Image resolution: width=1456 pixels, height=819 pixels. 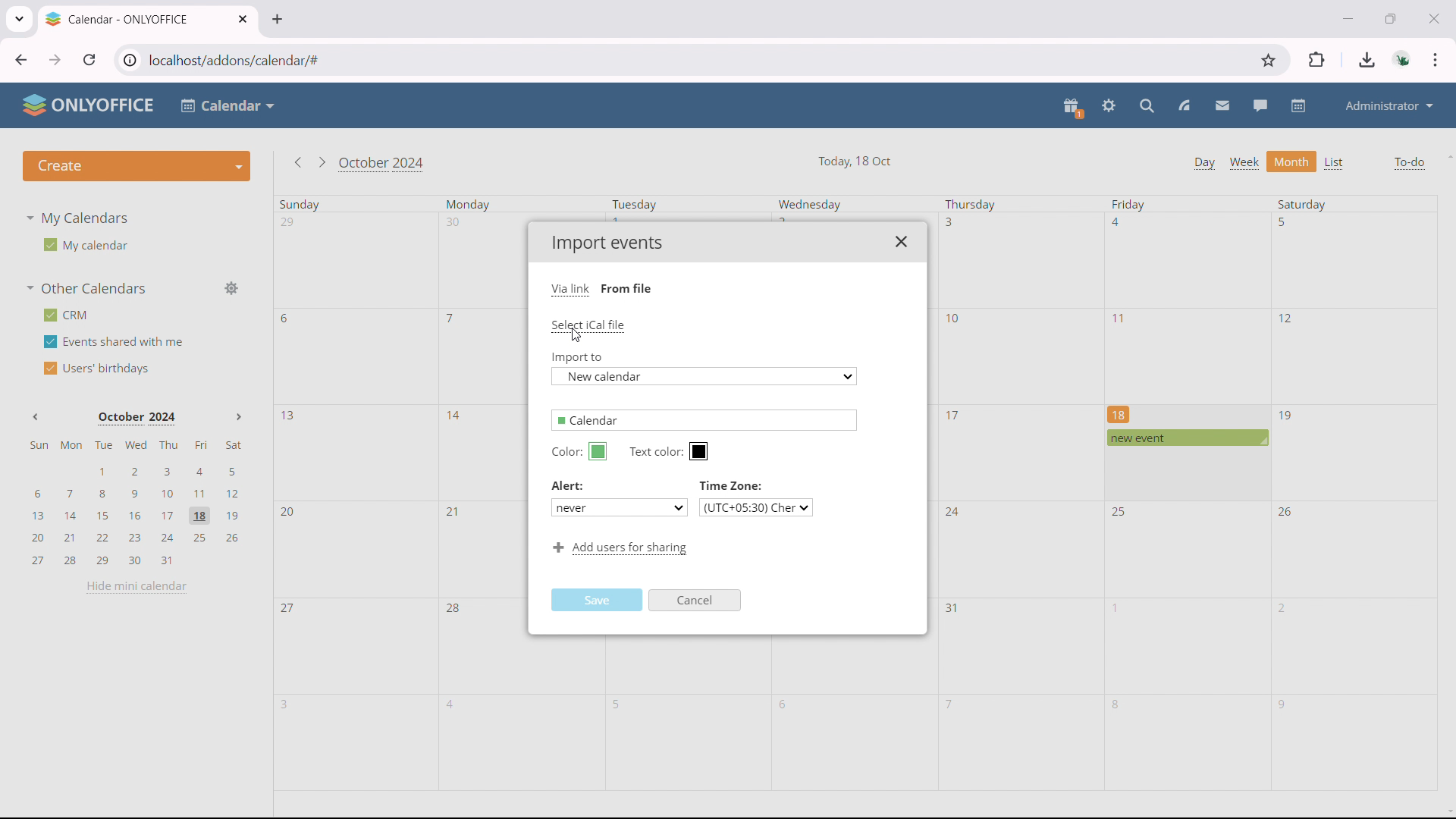 What do you see at coordinates (786, 705) in the screenshot?
I see `6` at bounding box center [786, 705].